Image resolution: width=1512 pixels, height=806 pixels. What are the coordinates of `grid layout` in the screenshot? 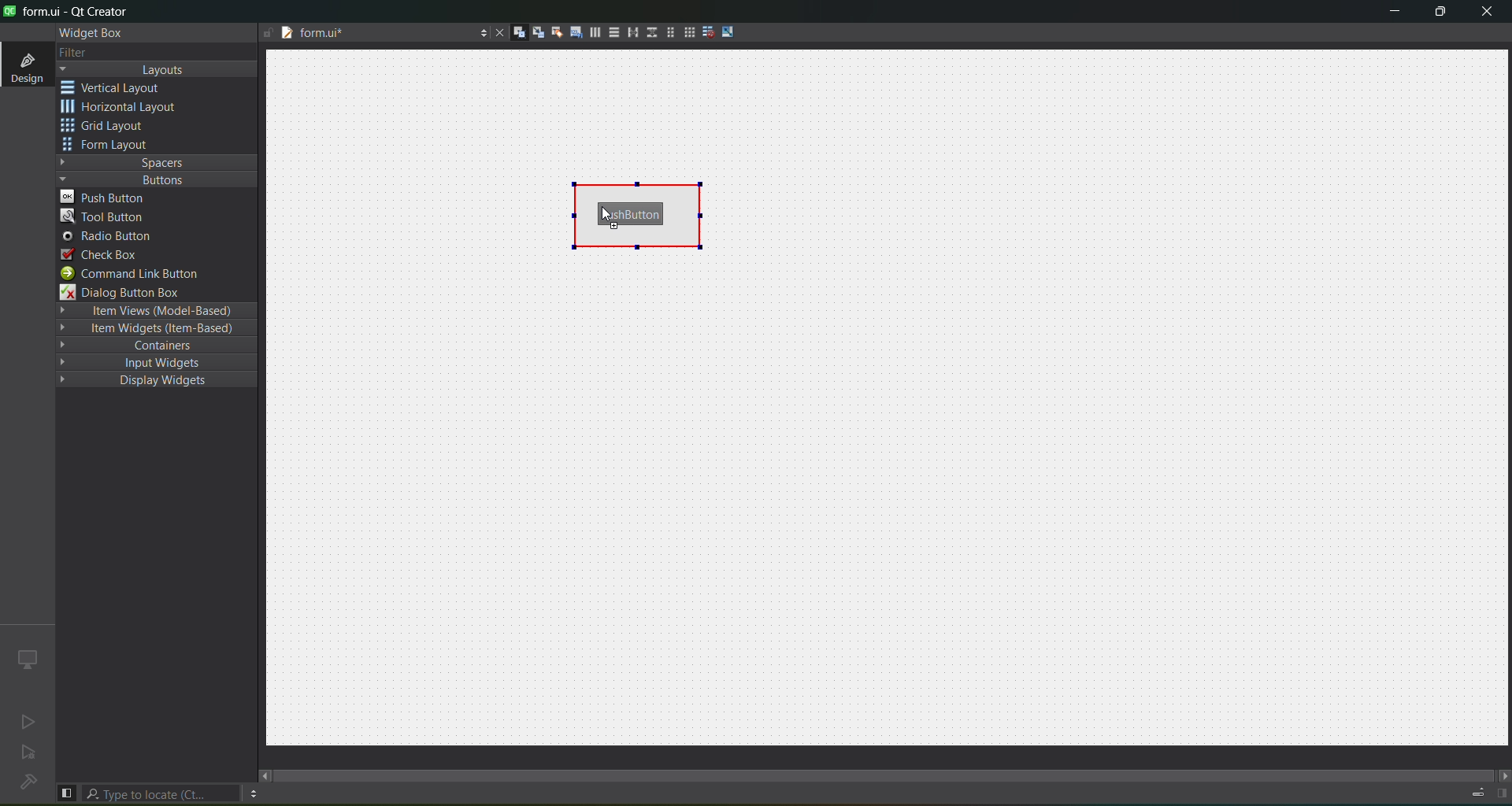 It's located at (108, 128).